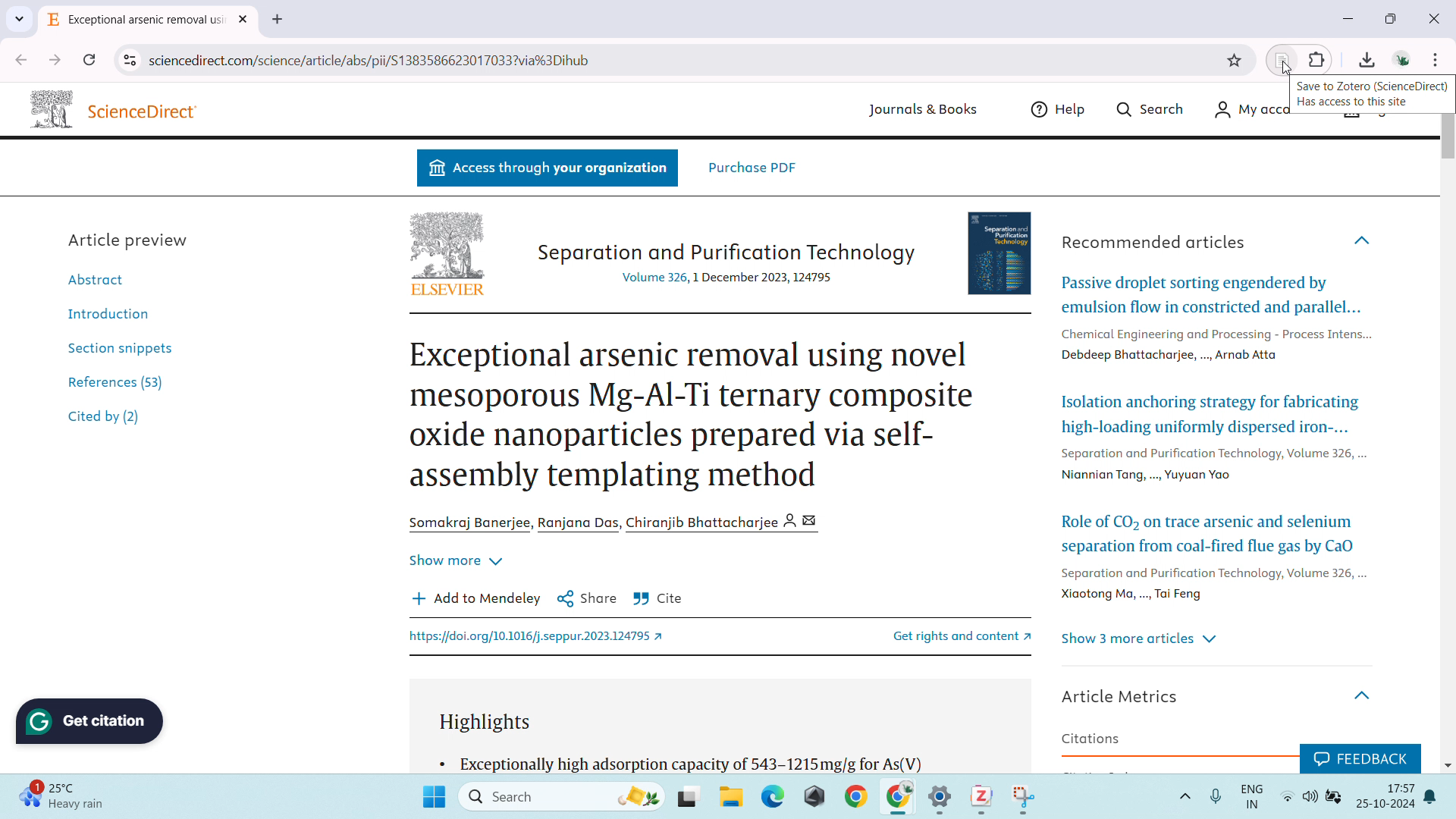 This screenshot has width=1456, height=819. Describe the element at coordinates (55, 60) in the screenshot. I see `click to go forward, hold to see history` at that location.